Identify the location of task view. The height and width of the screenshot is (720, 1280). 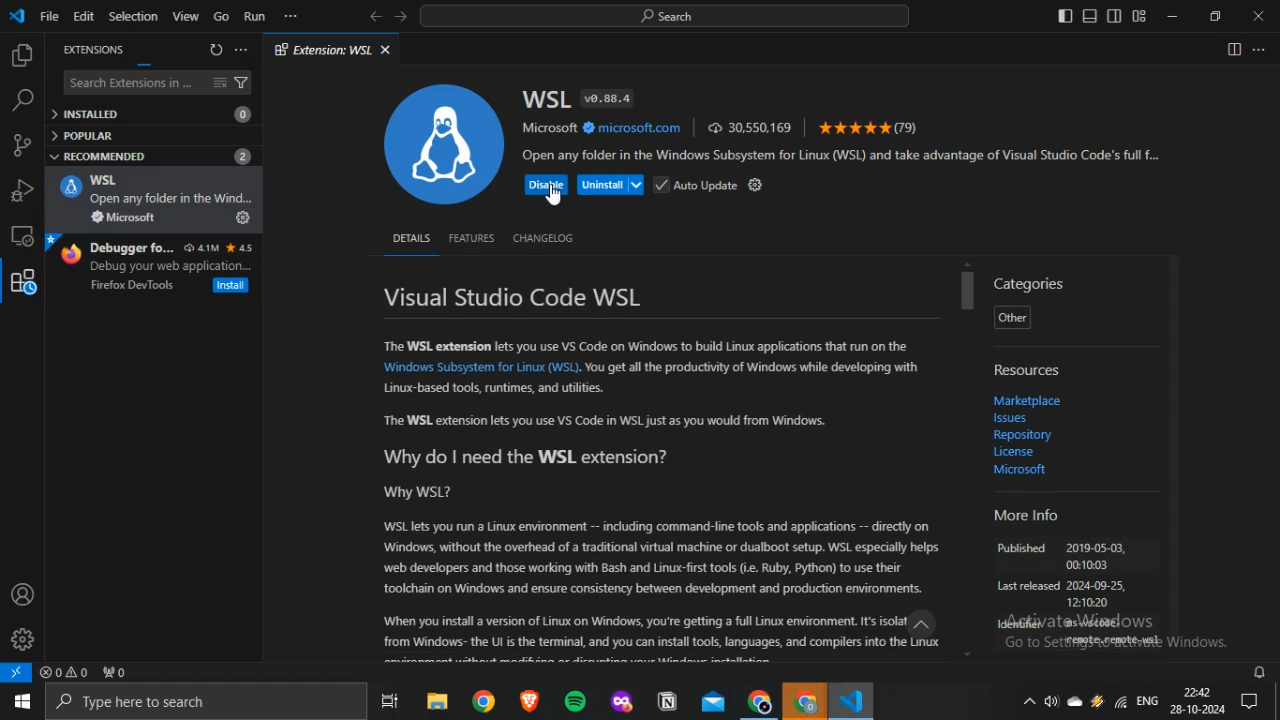
(391, 700).